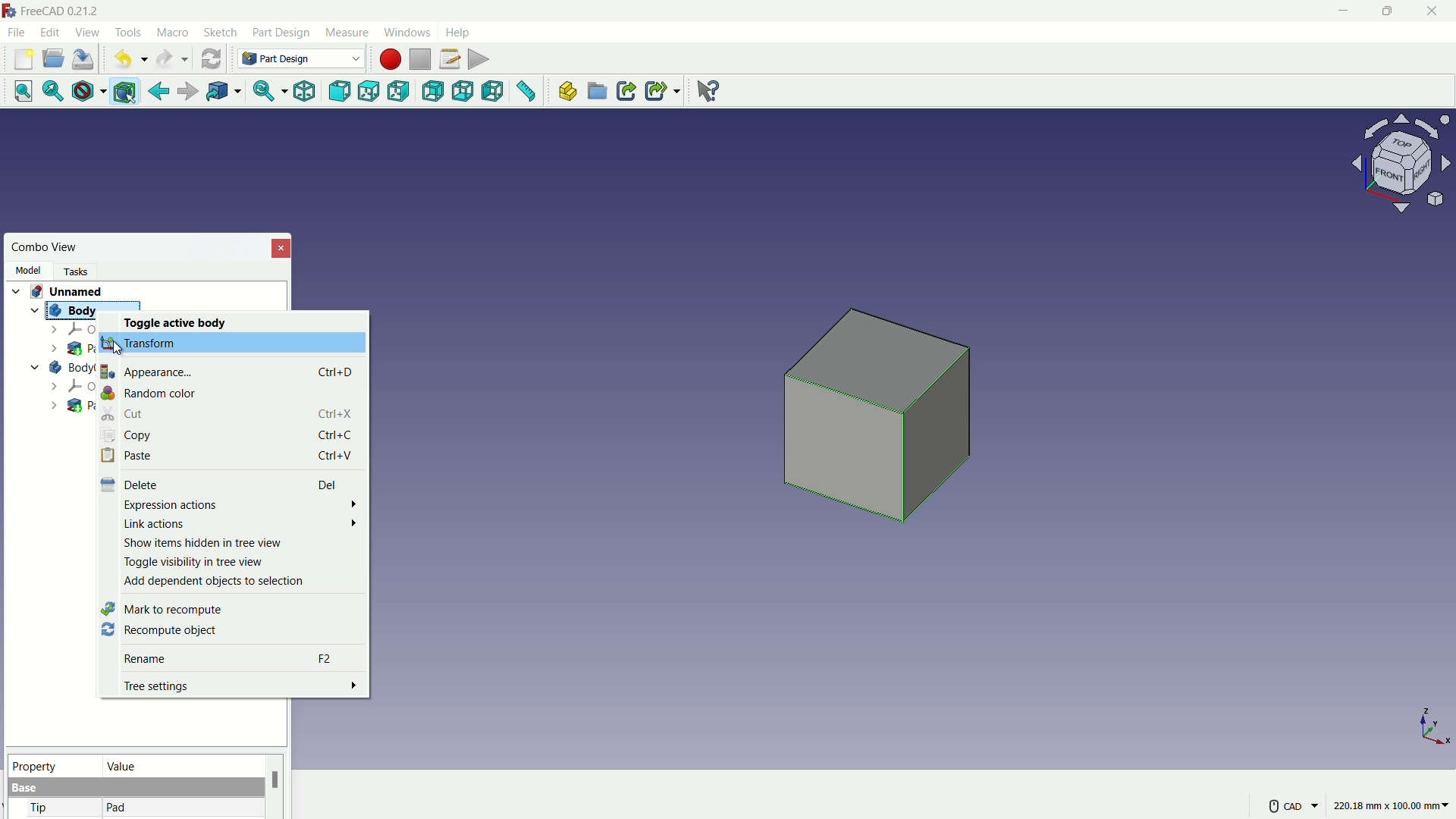 This screenshot has height=819, width=1456. Describe the element at coordinates (449, 58) in the screenshot. I see `macros` at that location.